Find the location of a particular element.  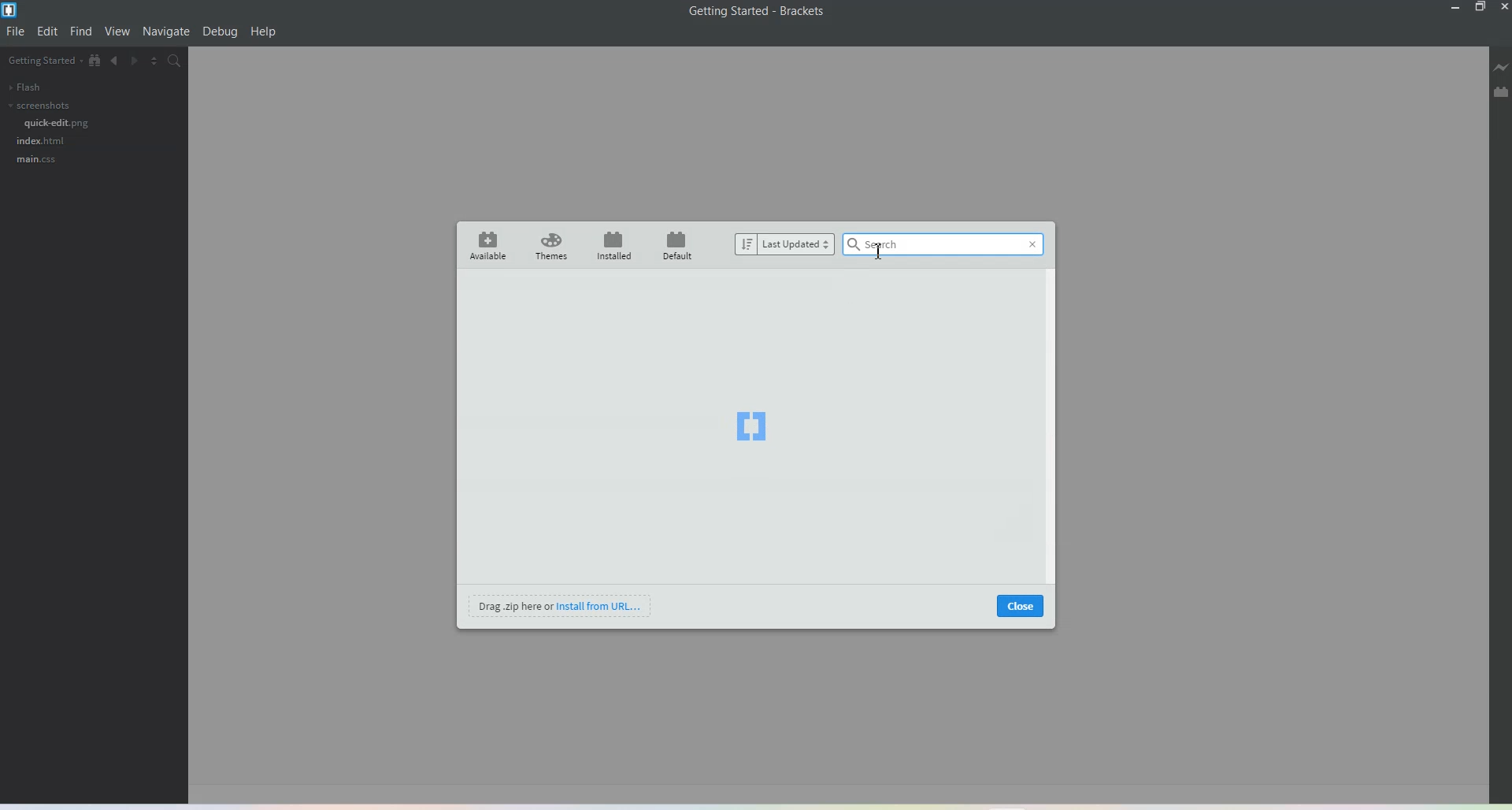

index.html is located at coordinates (42, 140).